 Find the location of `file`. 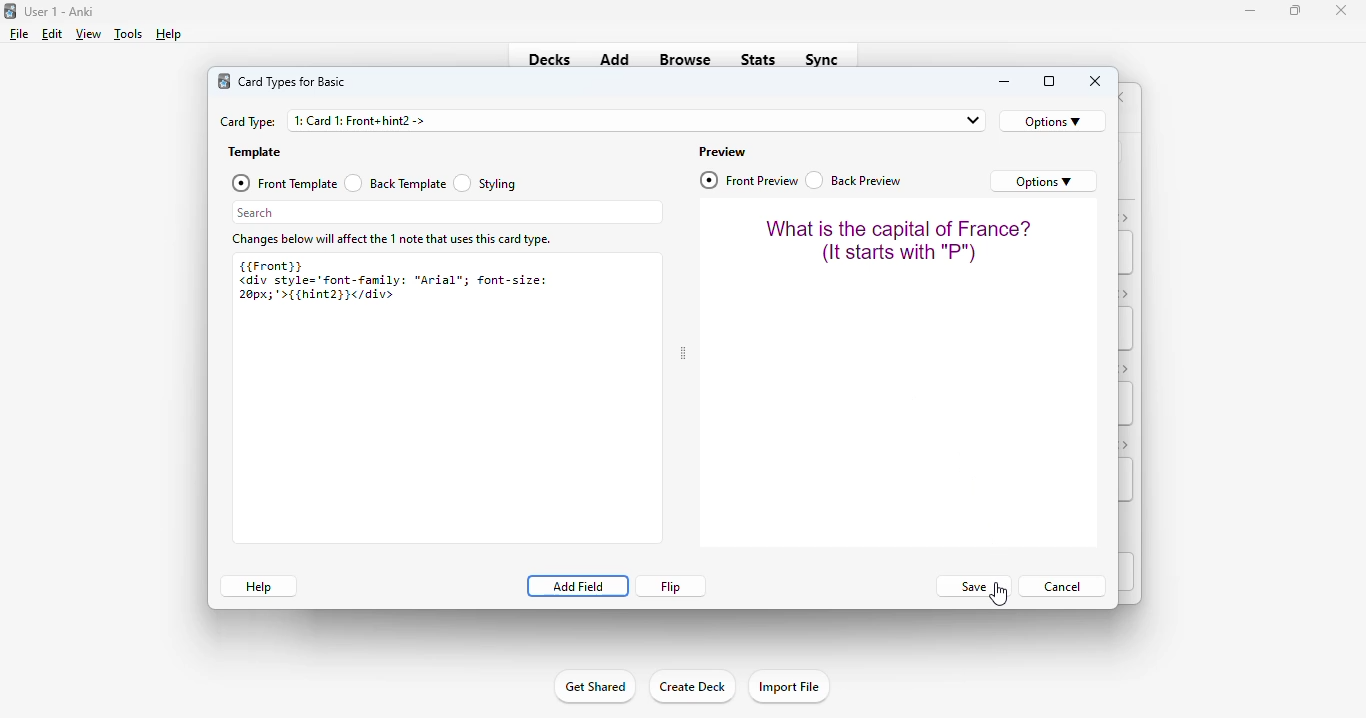

file is located at coordinates (19, 34).